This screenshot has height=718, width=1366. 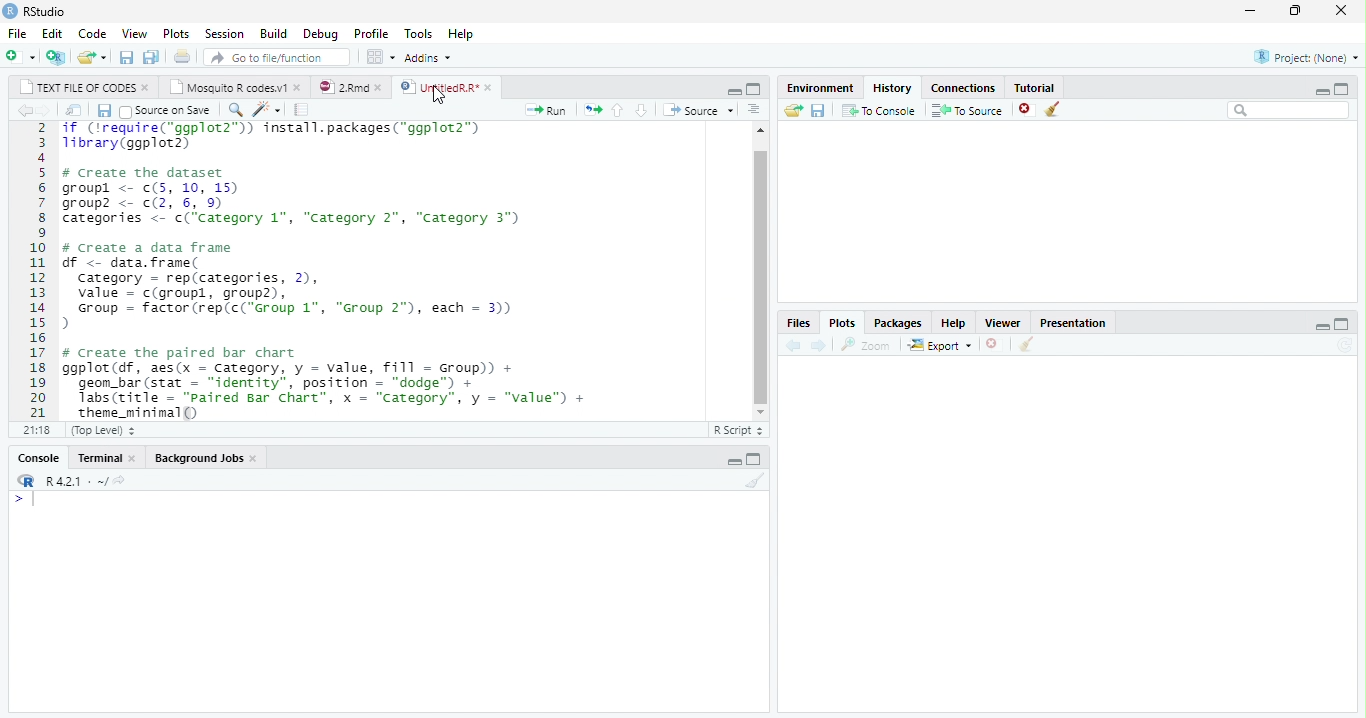 I want to click on close, so click(x=133, y=457).